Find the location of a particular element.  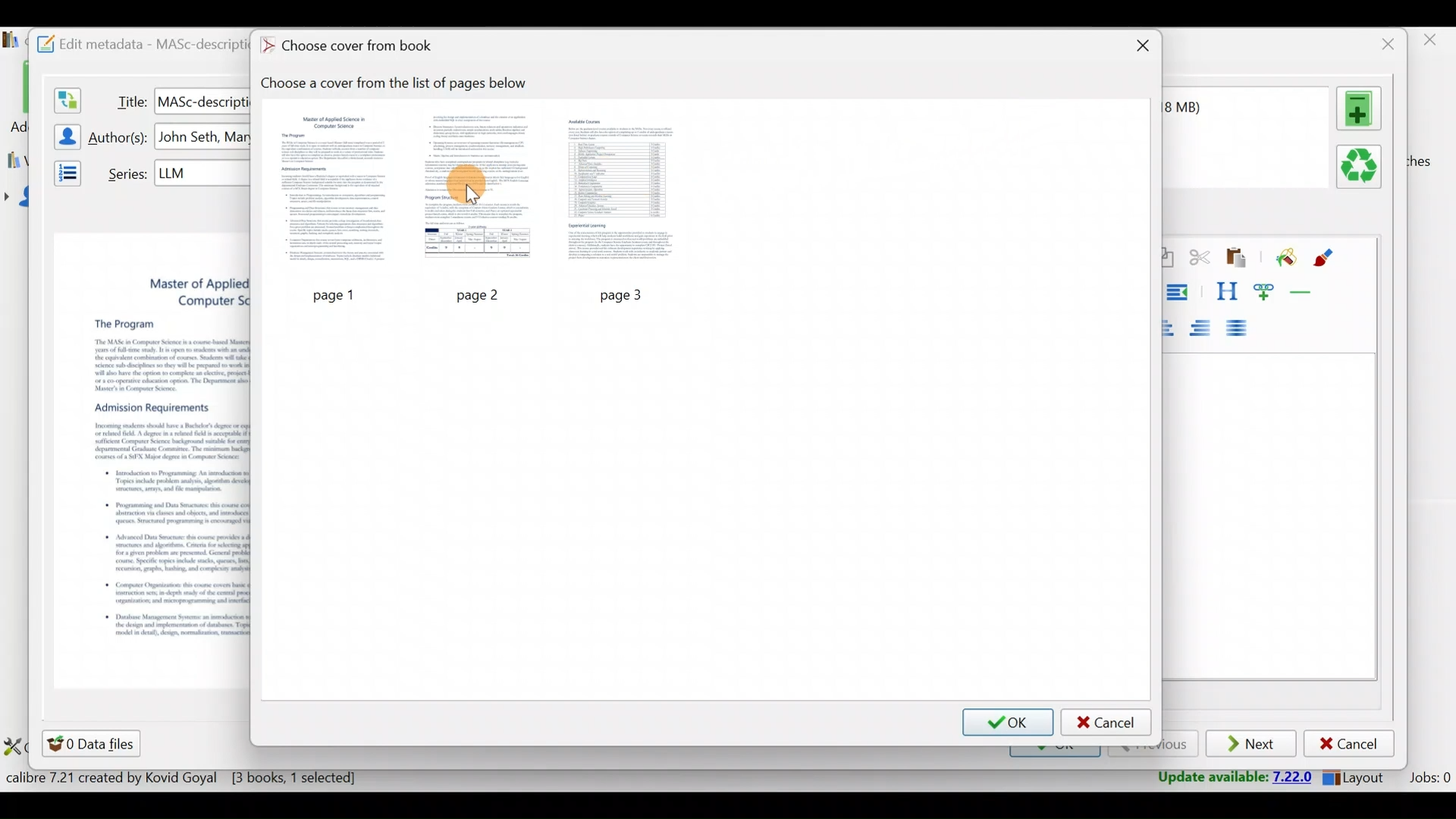

Style is located at coordinates (1226, 291).